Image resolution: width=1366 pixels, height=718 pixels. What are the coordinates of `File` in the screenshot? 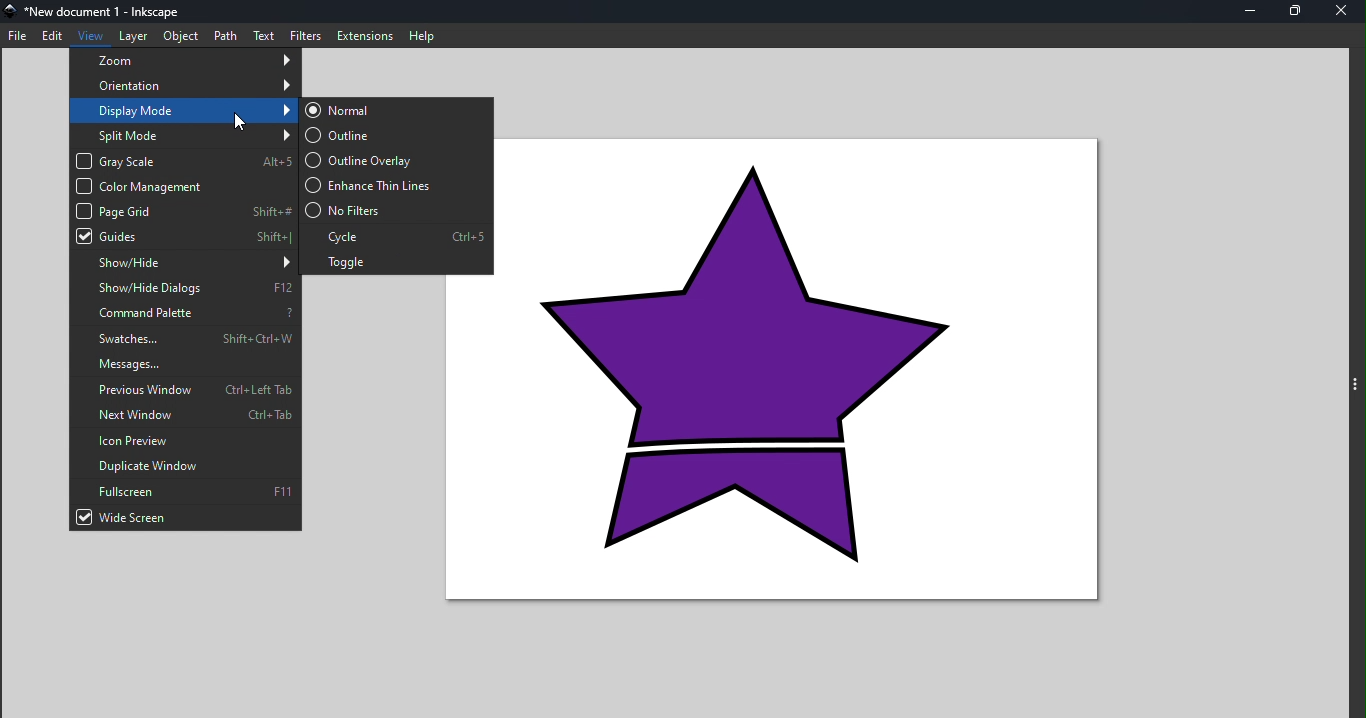 It's located at (18, 38).